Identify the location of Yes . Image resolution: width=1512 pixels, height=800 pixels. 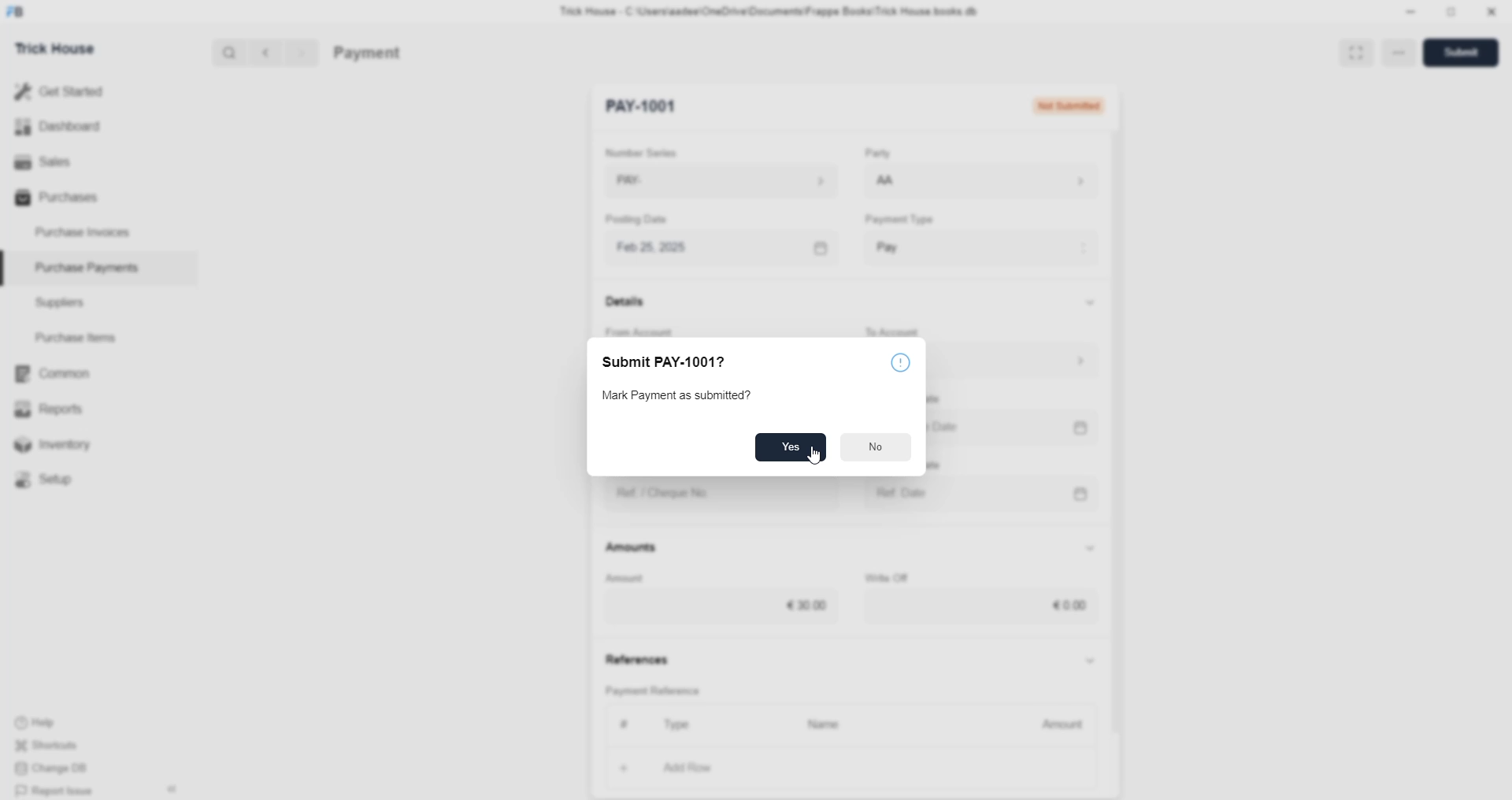
(788, 446).